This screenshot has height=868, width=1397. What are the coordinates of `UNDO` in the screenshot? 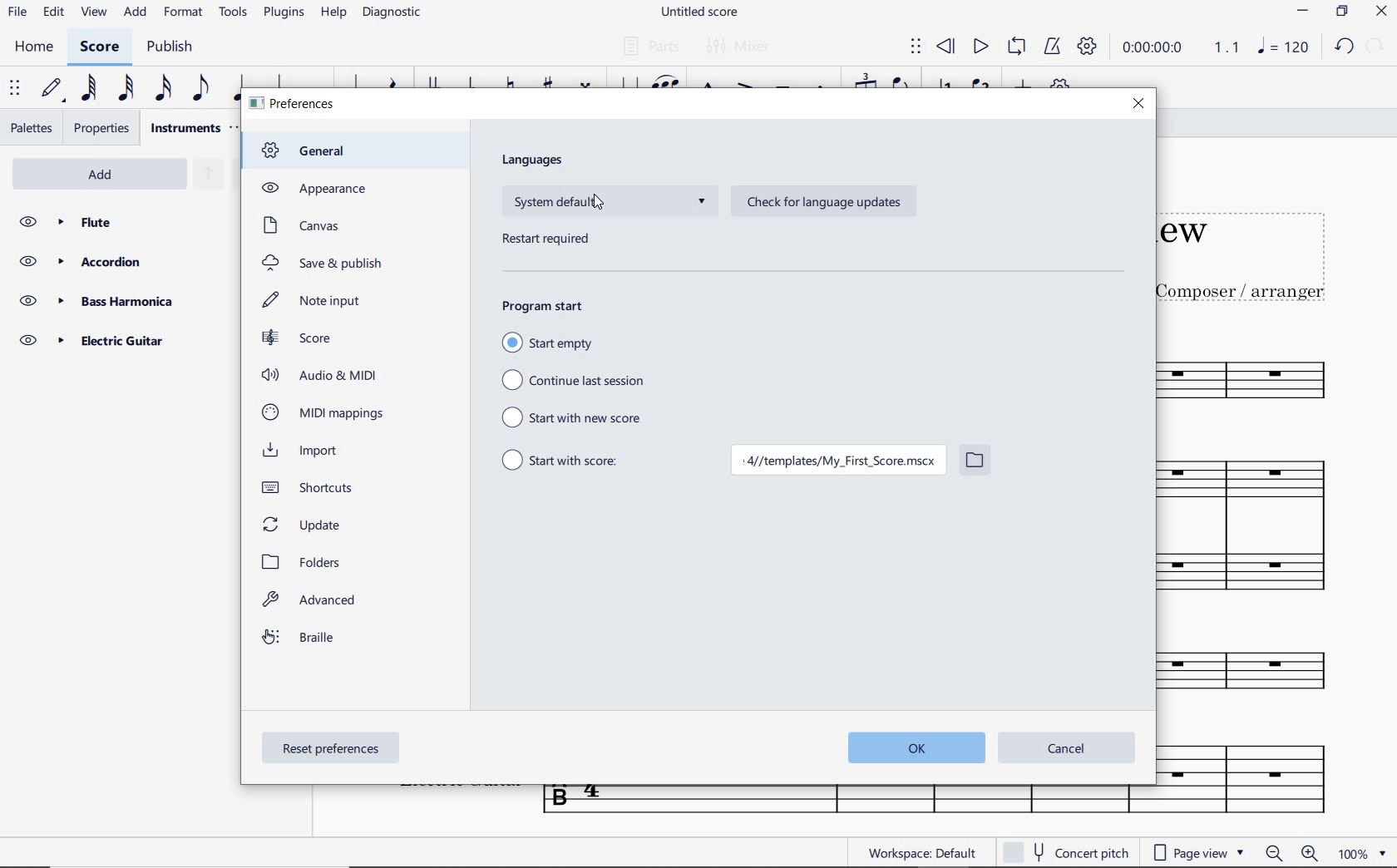 It's located at (1345, 49).